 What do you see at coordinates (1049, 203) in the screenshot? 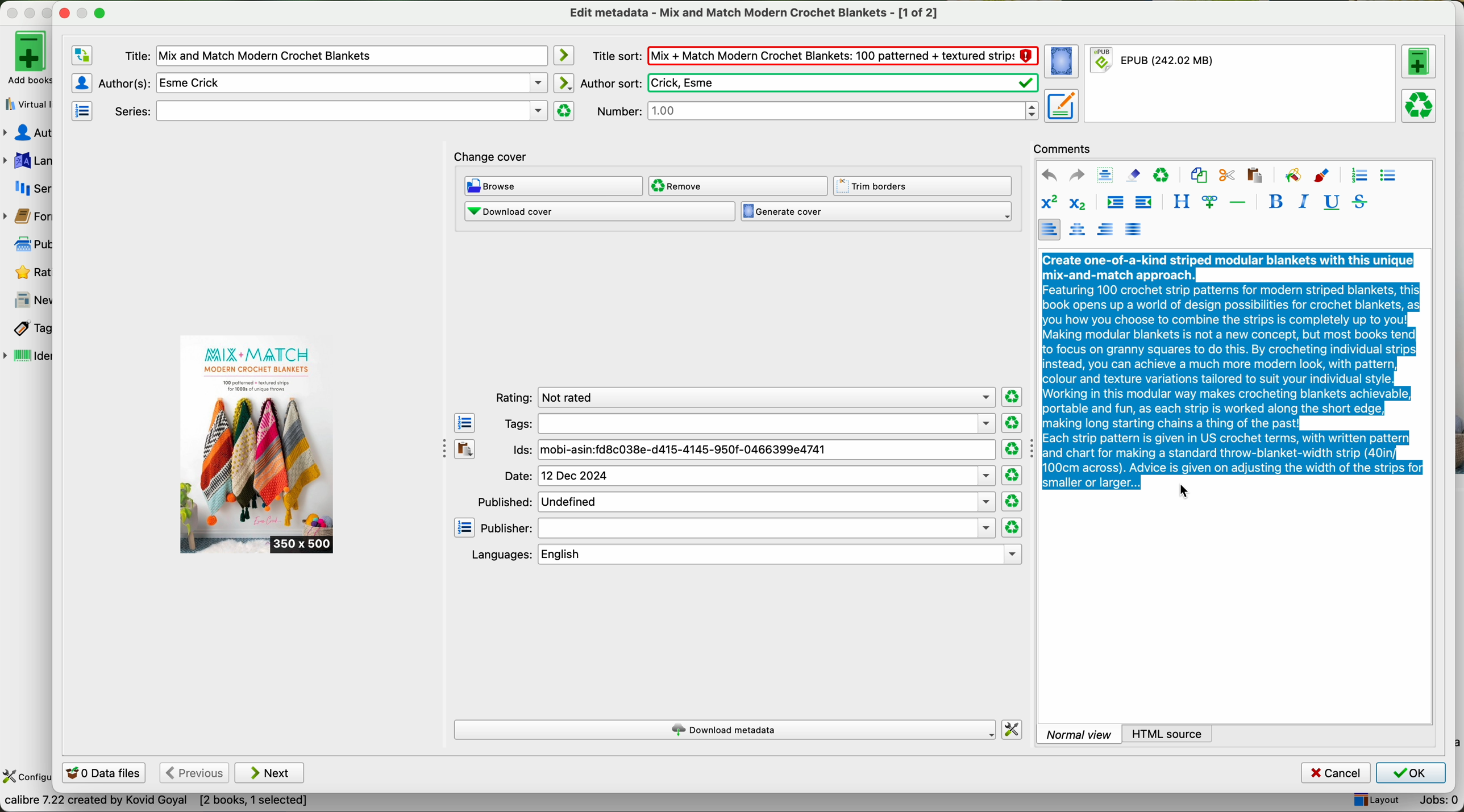
I see `superscript` at bounding box center [1049, 203].